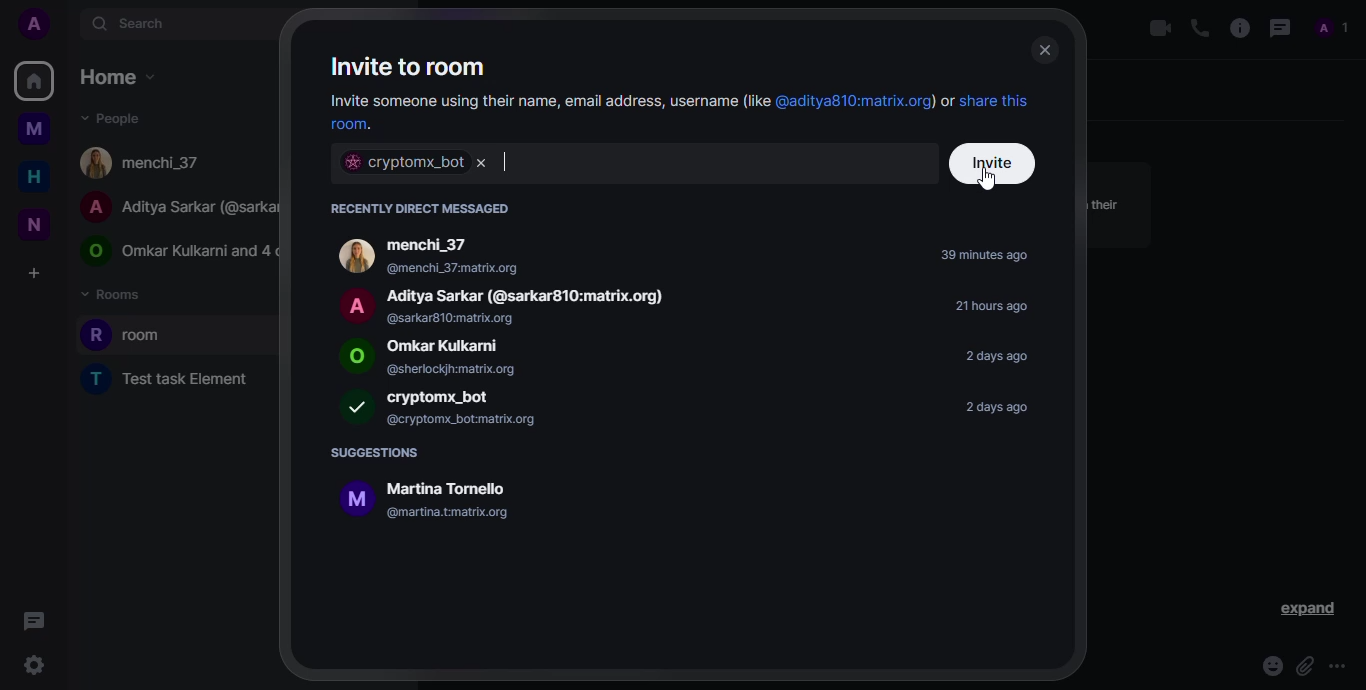 This screenshot has width=1366, height=690. I want to click on close, so click(1046, 51).